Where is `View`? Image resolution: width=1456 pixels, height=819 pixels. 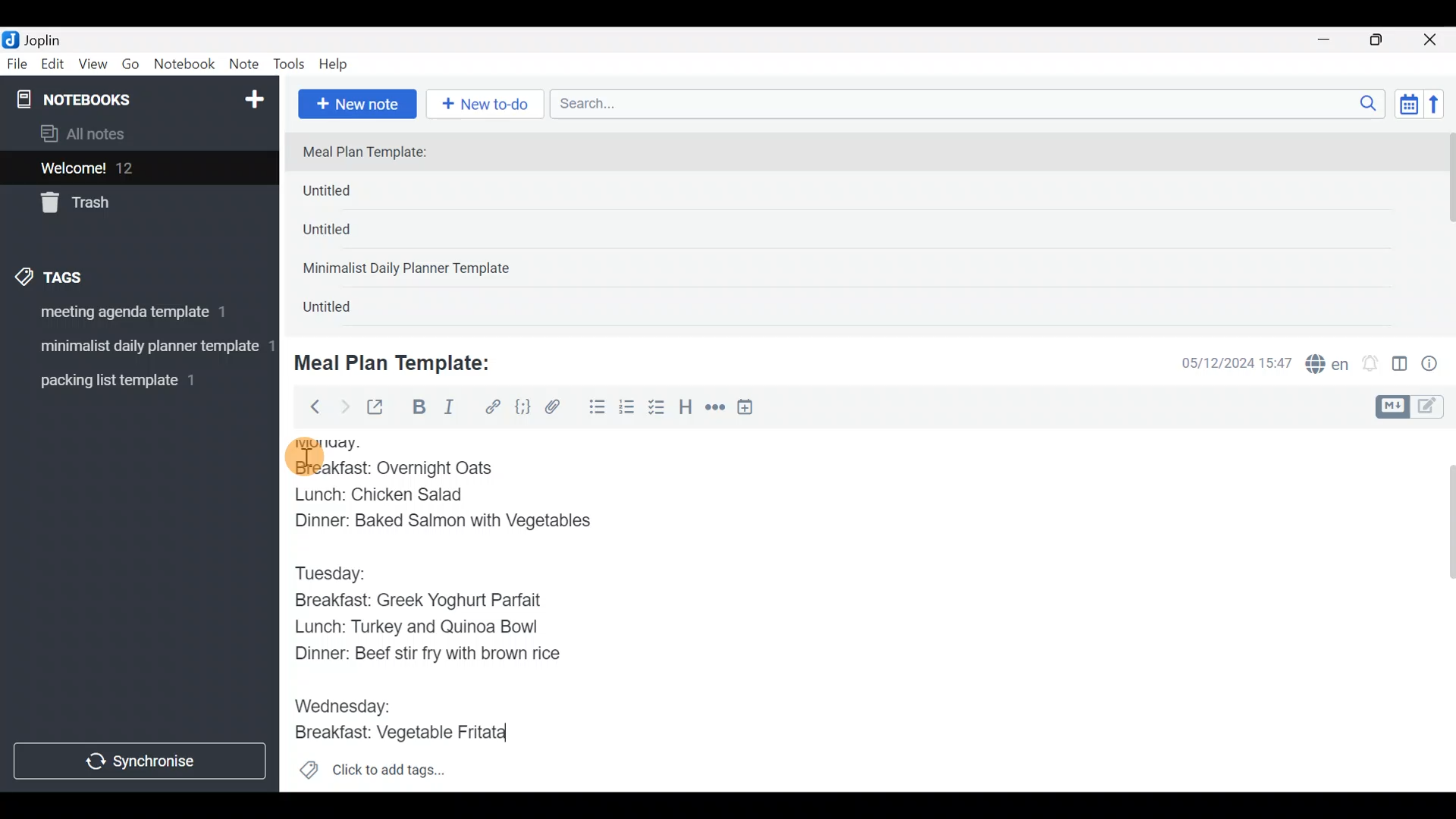
View is located at coordinates (93, 67).